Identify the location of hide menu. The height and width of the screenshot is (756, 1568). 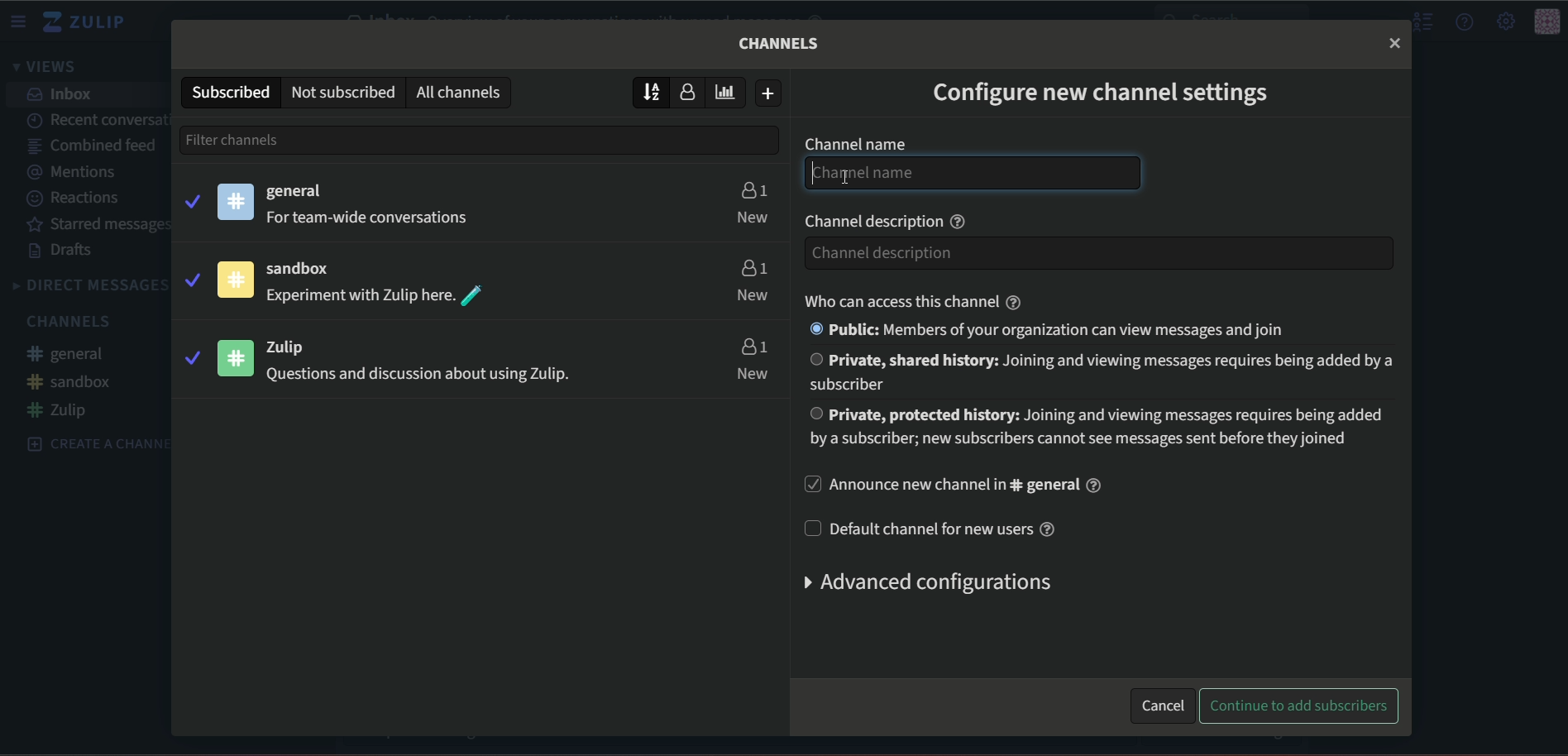
(1423, 22).